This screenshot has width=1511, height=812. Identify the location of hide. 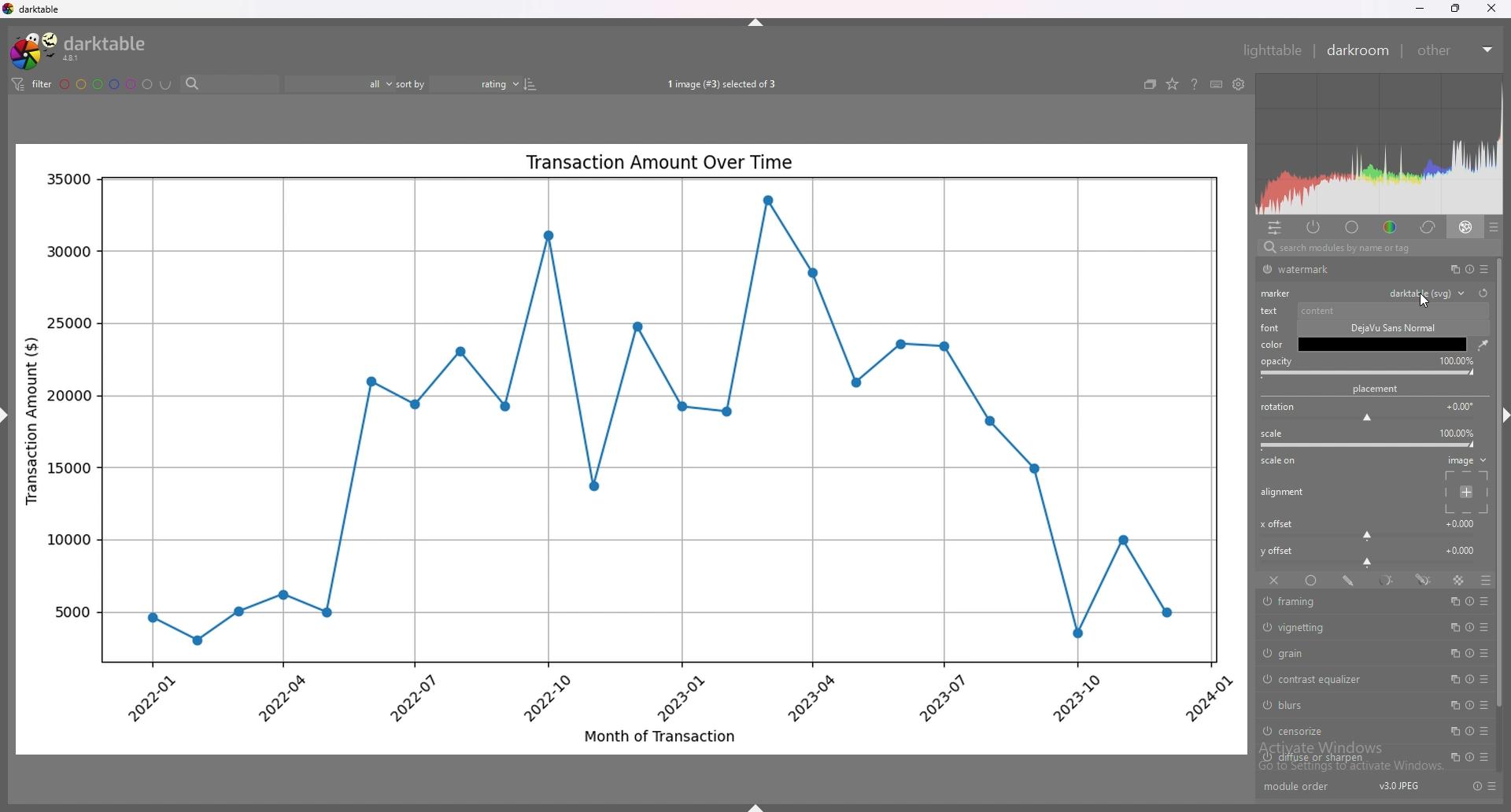
(755, 806).